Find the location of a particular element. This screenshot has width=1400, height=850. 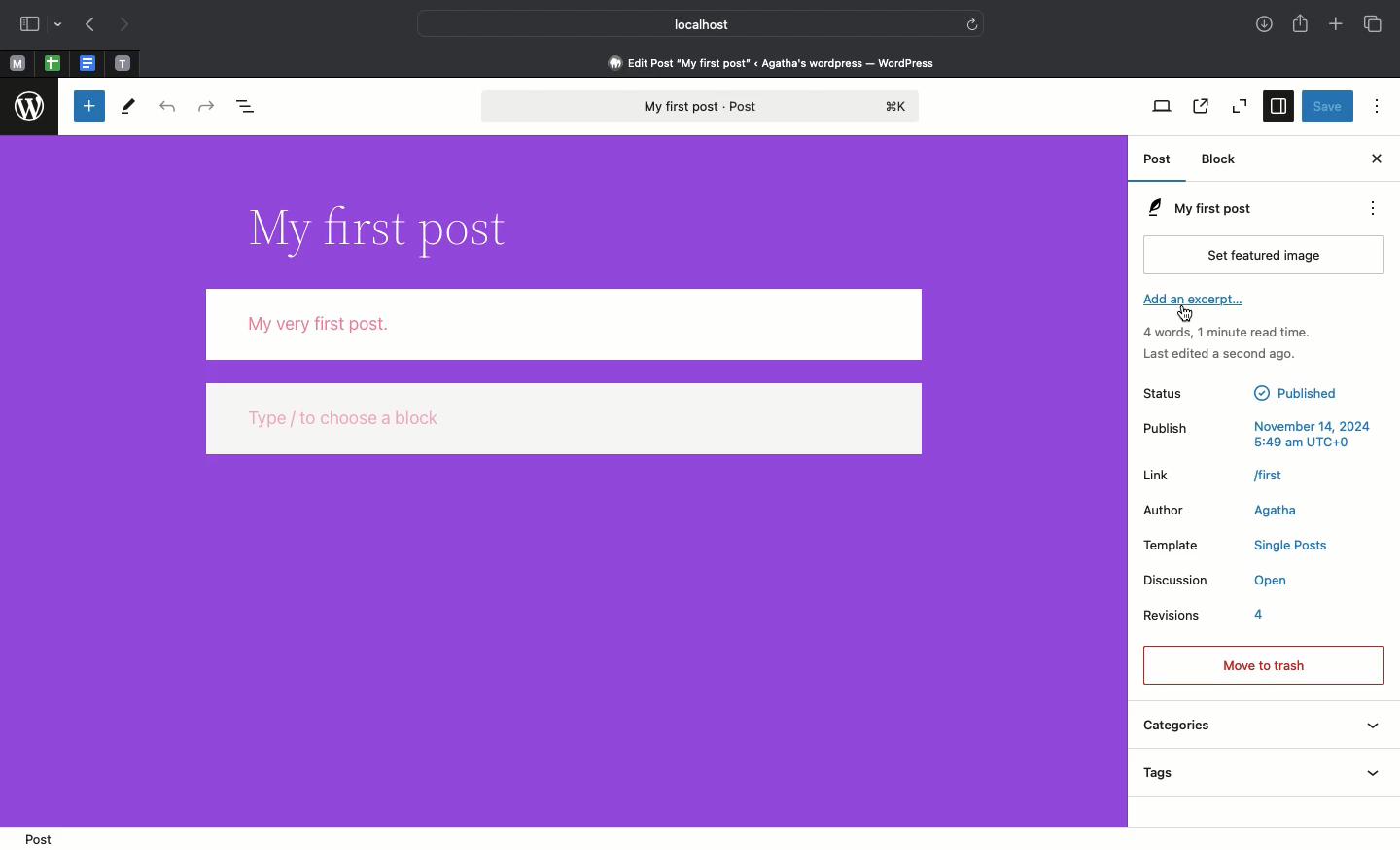

Add new tab is located at coordinates (1335, 25).